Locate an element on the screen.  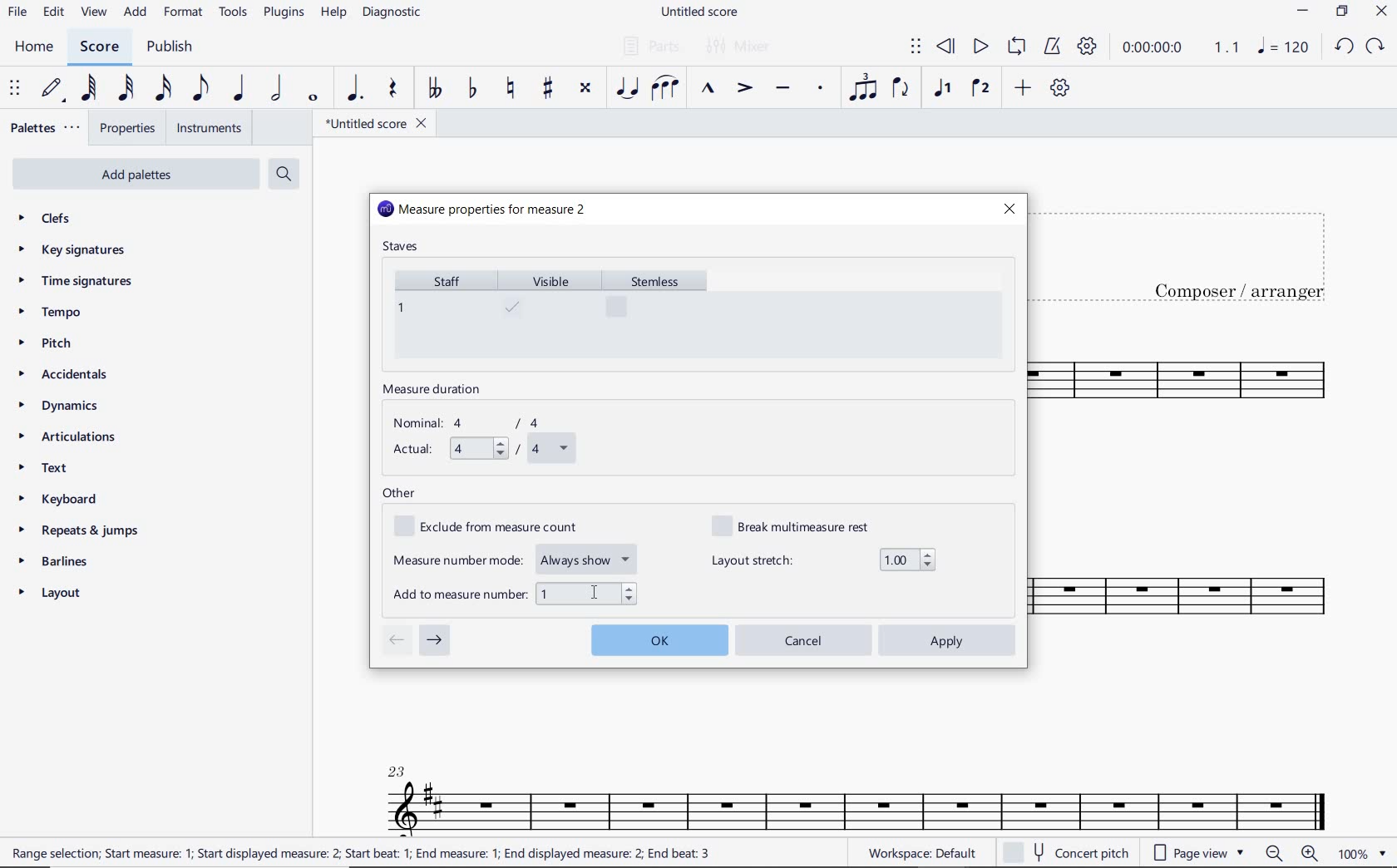
EIGHTH NOTE is located at coordinates (199, 89).